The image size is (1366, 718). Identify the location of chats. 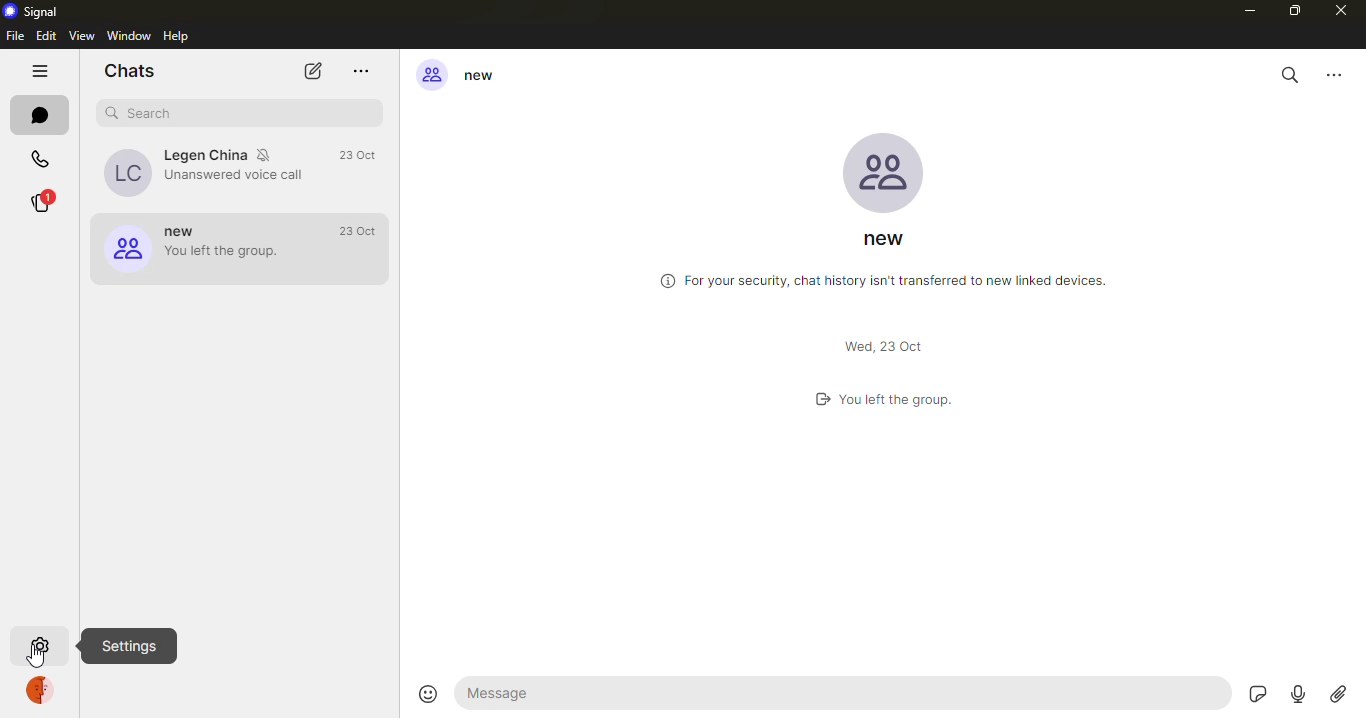
(40, 116).